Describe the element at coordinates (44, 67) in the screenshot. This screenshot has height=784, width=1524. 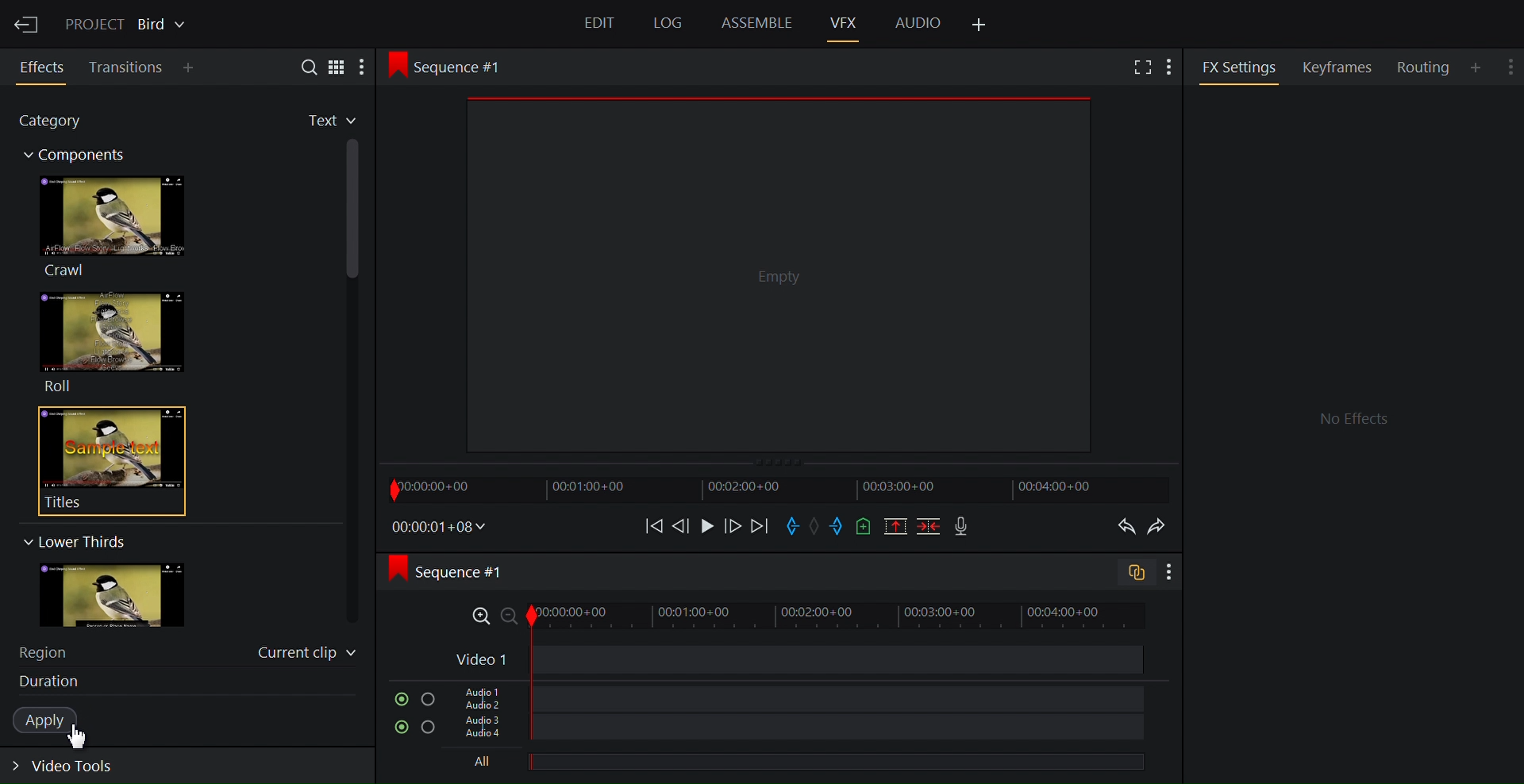
I see `Effects` at that location.